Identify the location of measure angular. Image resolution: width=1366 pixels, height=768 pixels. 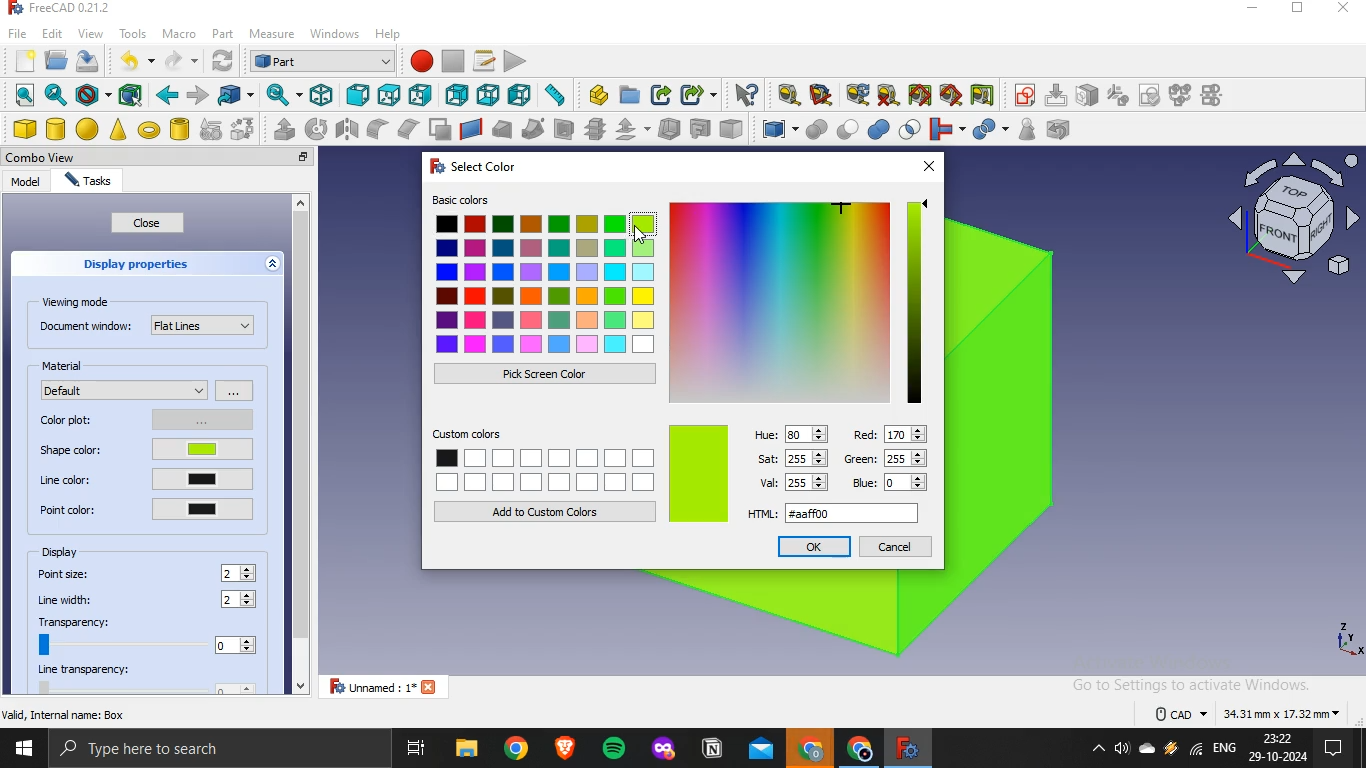
(822, 95).